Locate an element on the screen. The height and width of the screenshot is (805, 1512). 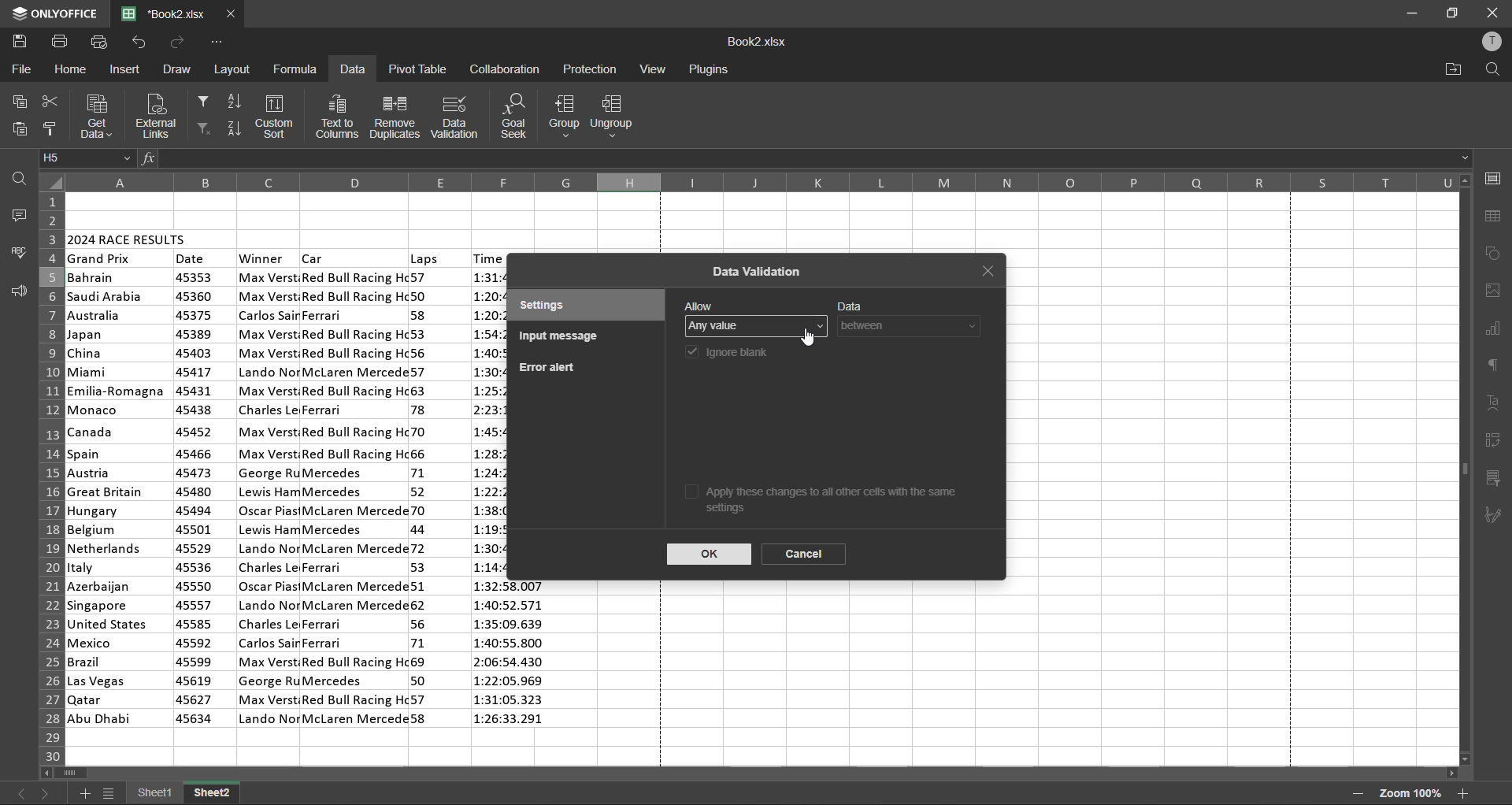
protection is located at coordinates (591, 70).